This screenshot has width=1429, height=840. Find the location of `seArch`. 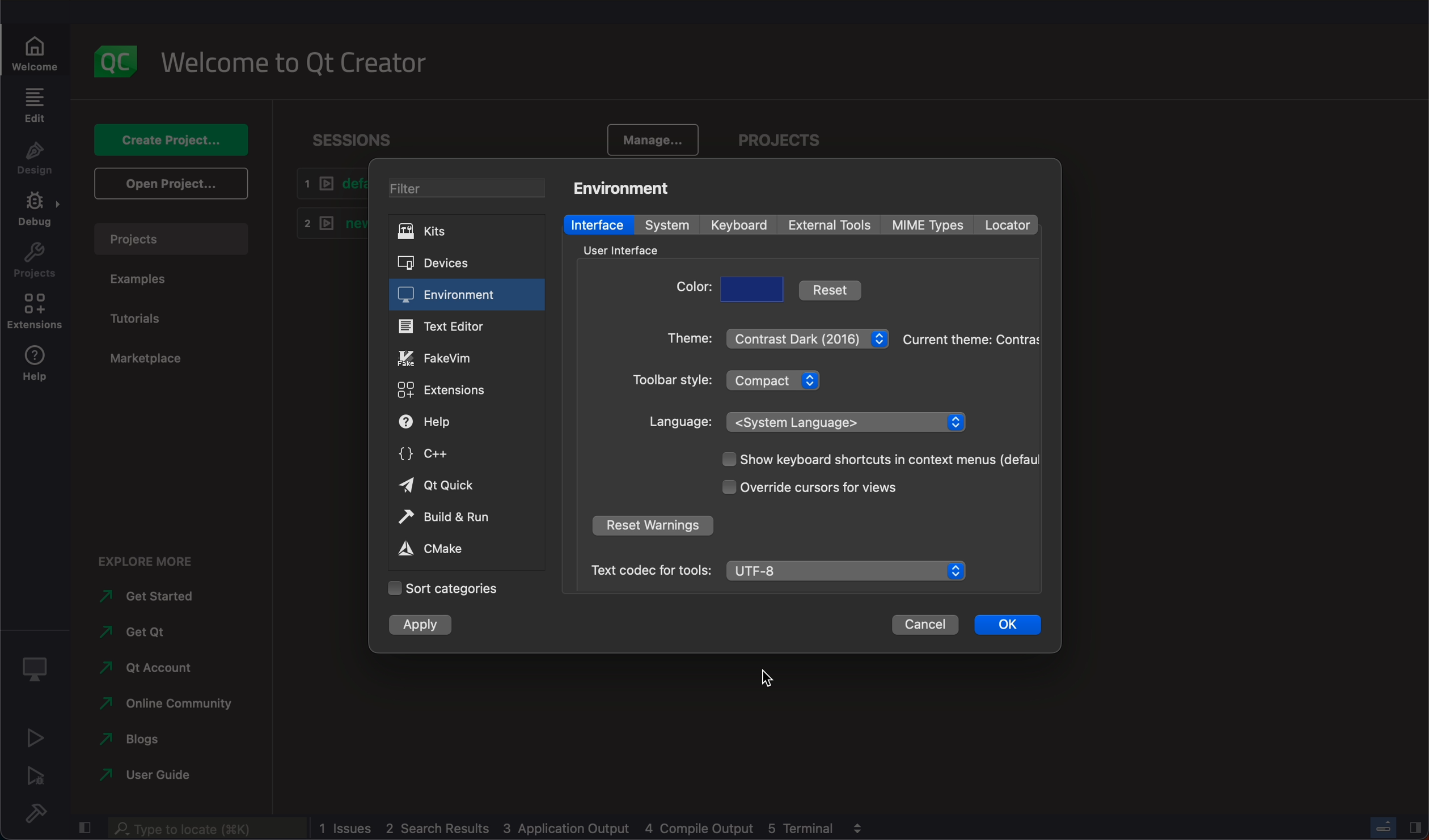

seArch is located at coordinates (204, 828).